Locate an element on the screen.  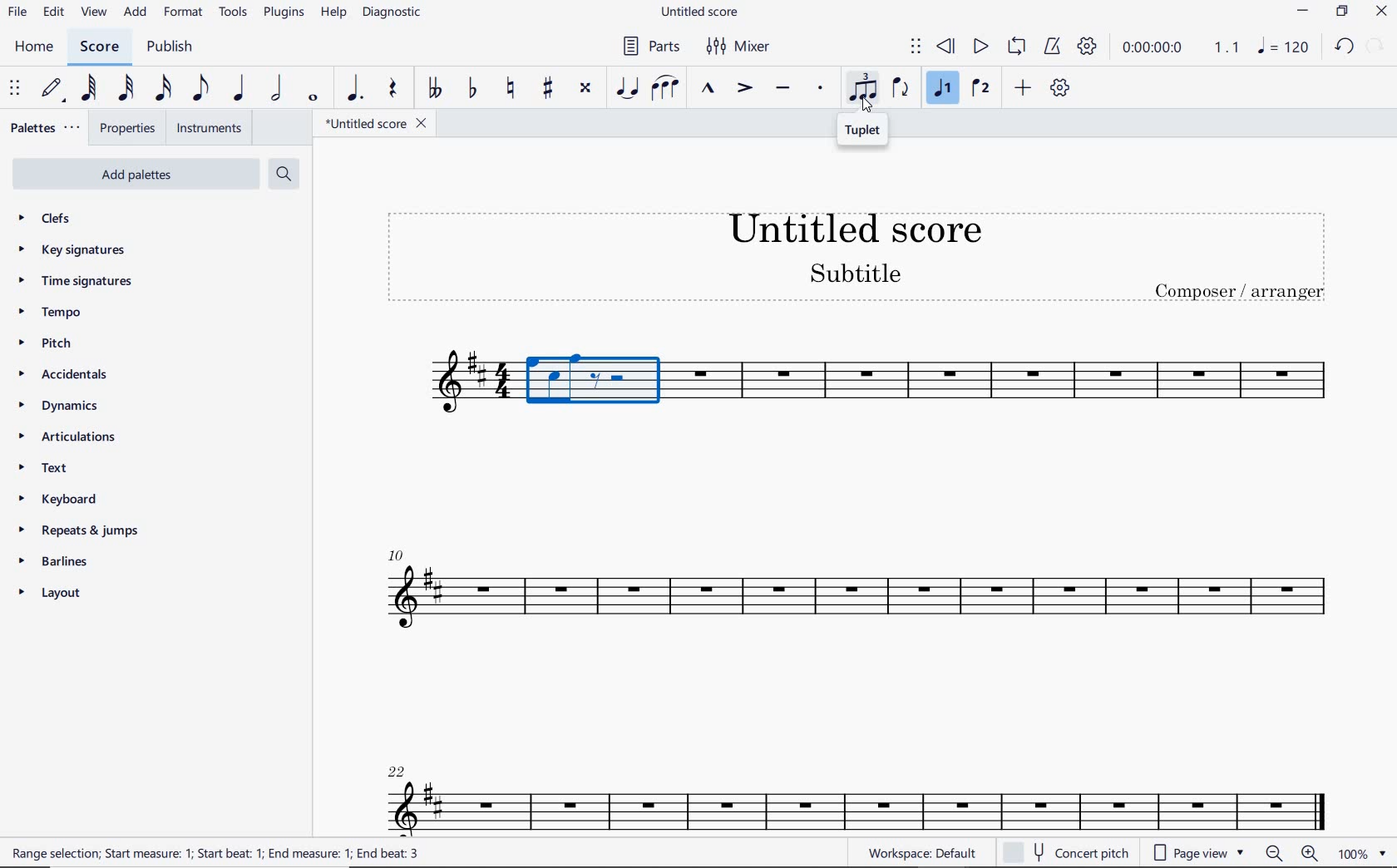
PALETTES is located at coordinates (45, 130).